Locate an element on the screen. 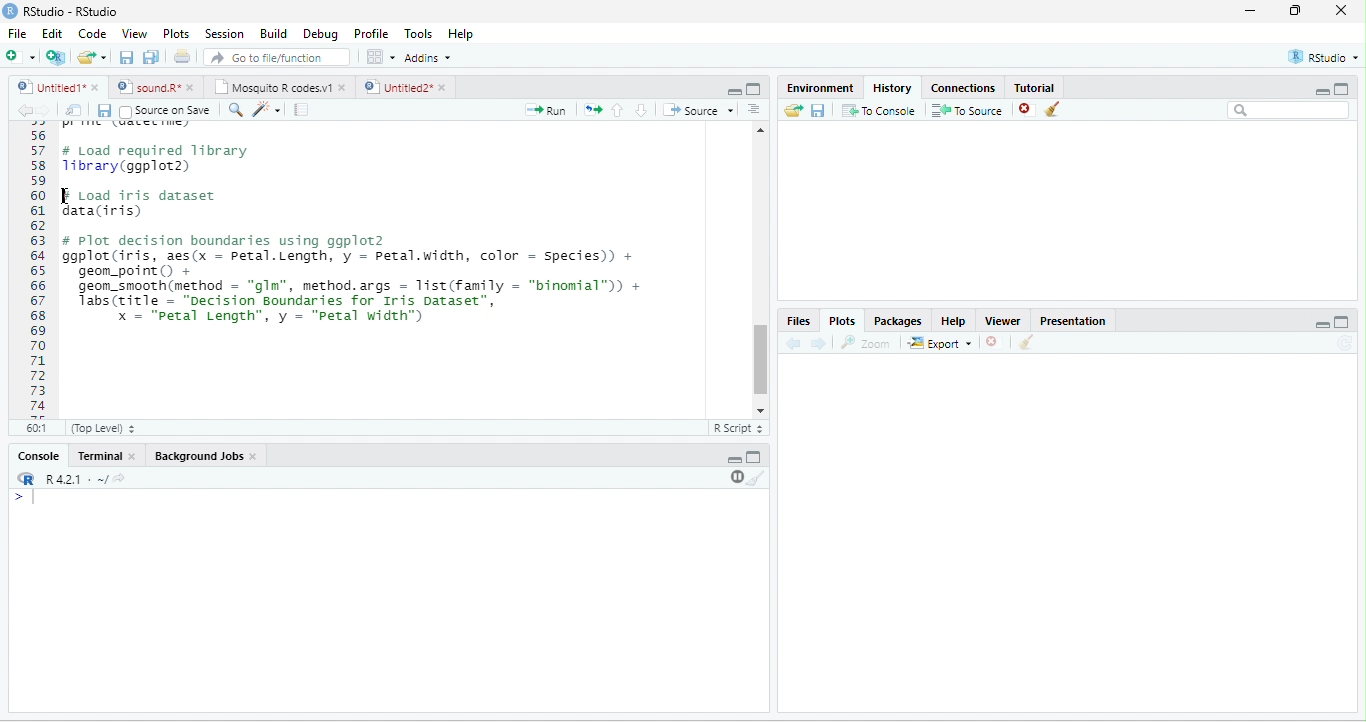 Image resolution: width=1366 pixels, height=722 pixels. close is located at coordinates (1341, 10).